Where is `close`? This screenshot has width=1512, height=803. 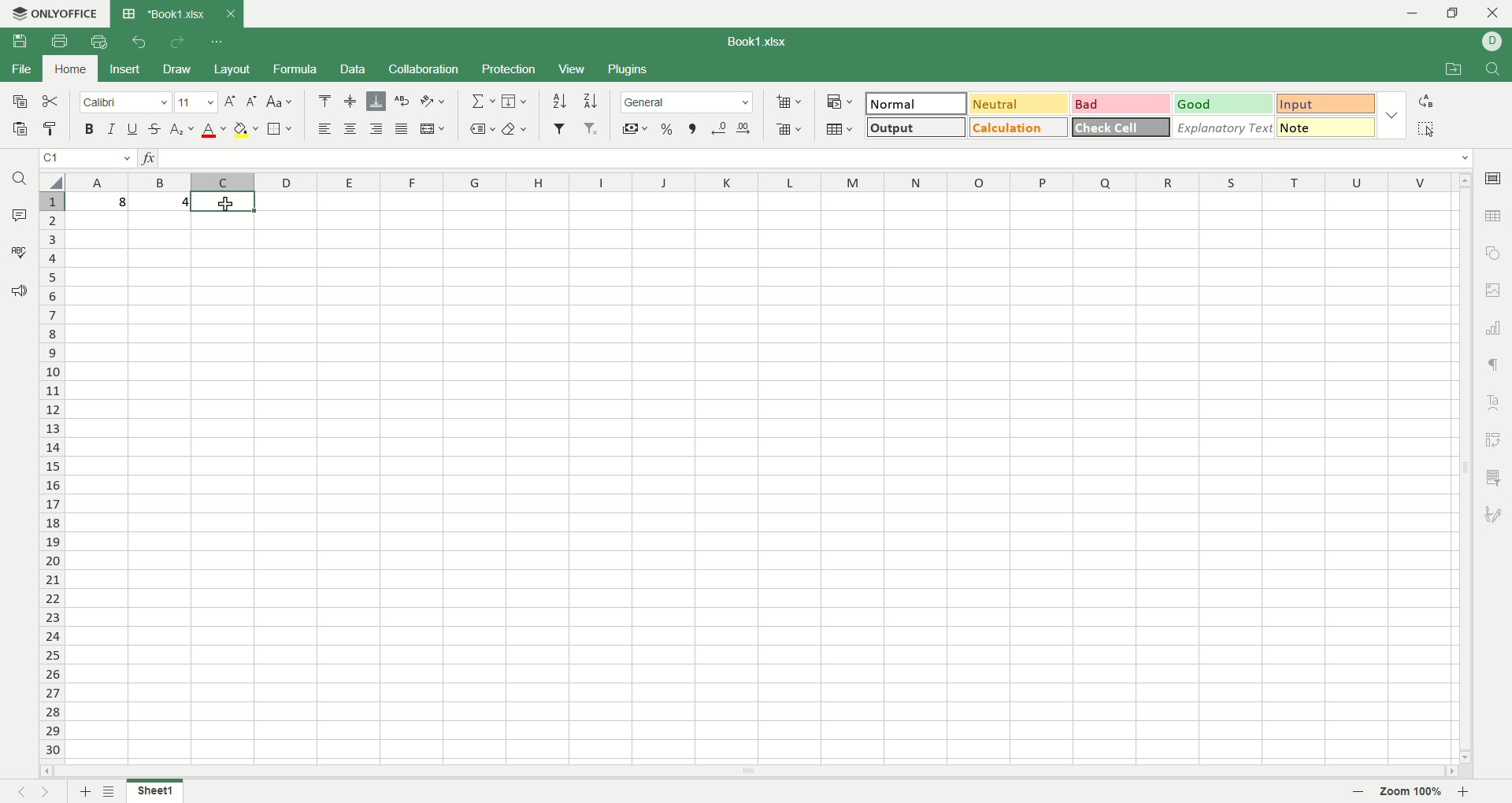 close is located at coordinates (230, 14).